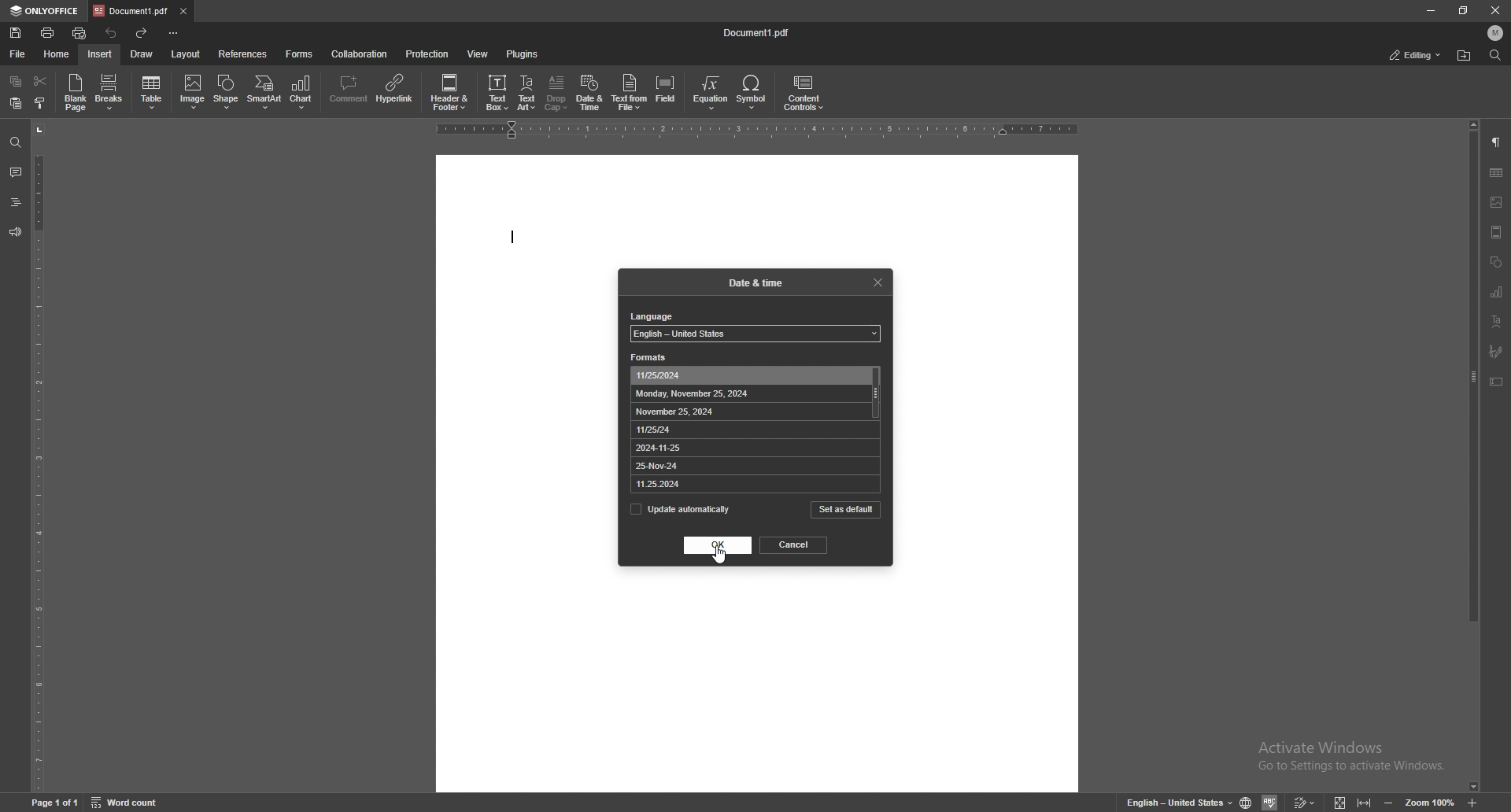  Describe the element at coordinates (1303, 801) in the screenshot. I see `track changes` at that location.